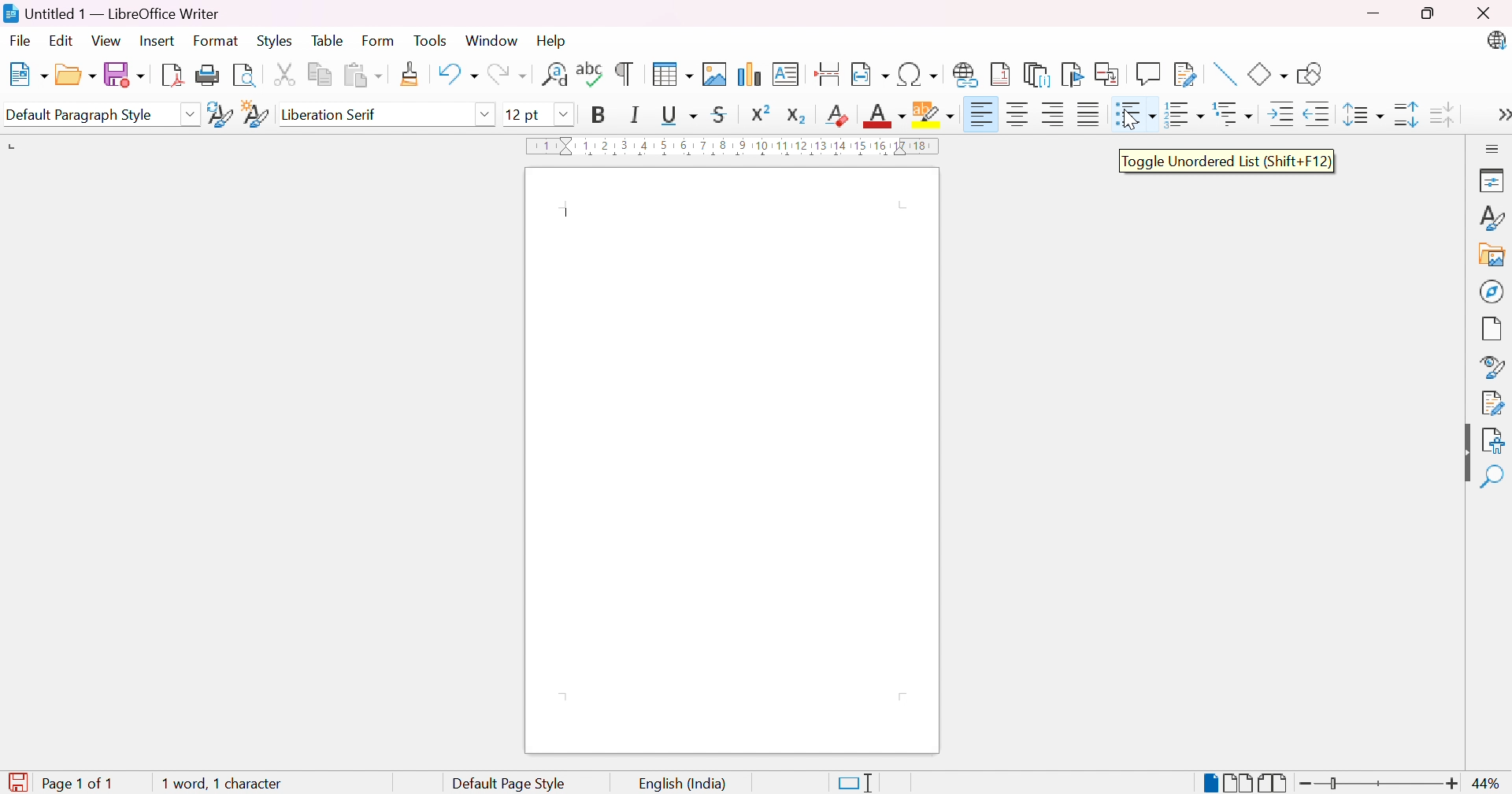  I want to click on Show track changes functions, so click(1185, 74).